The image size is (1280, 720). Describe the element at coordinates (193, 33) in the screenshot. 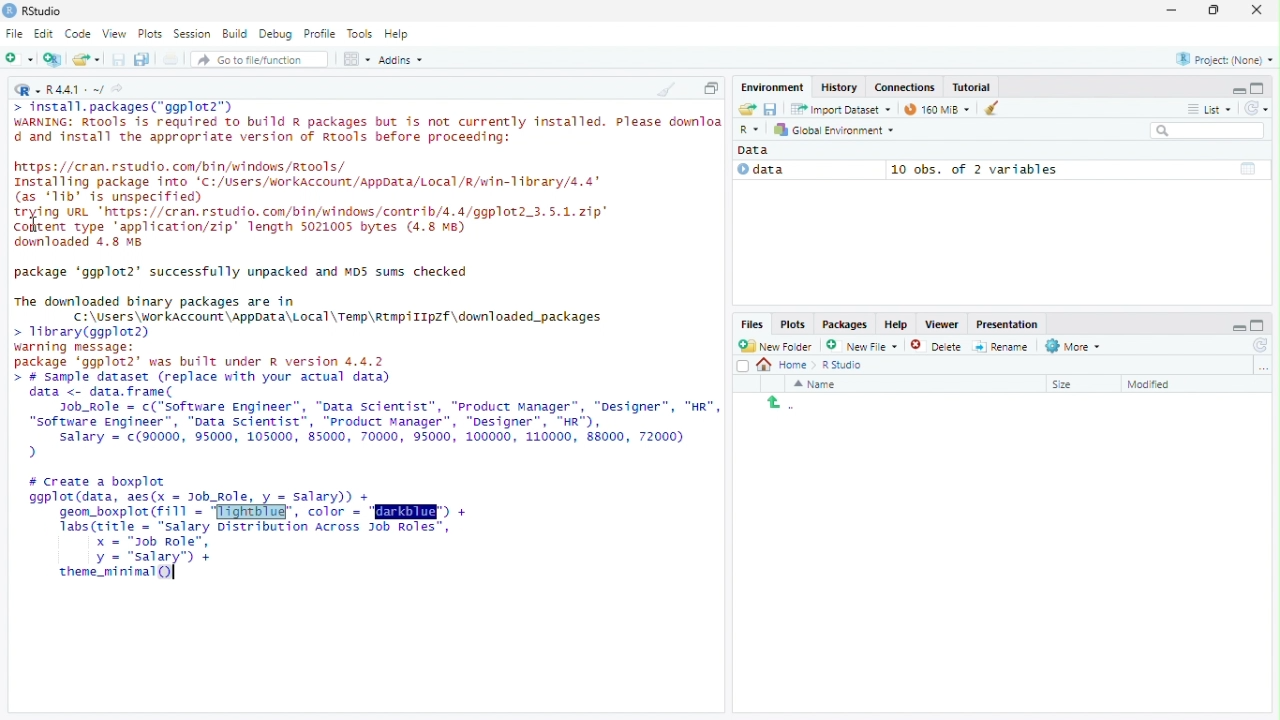

I see `Session` at that location.